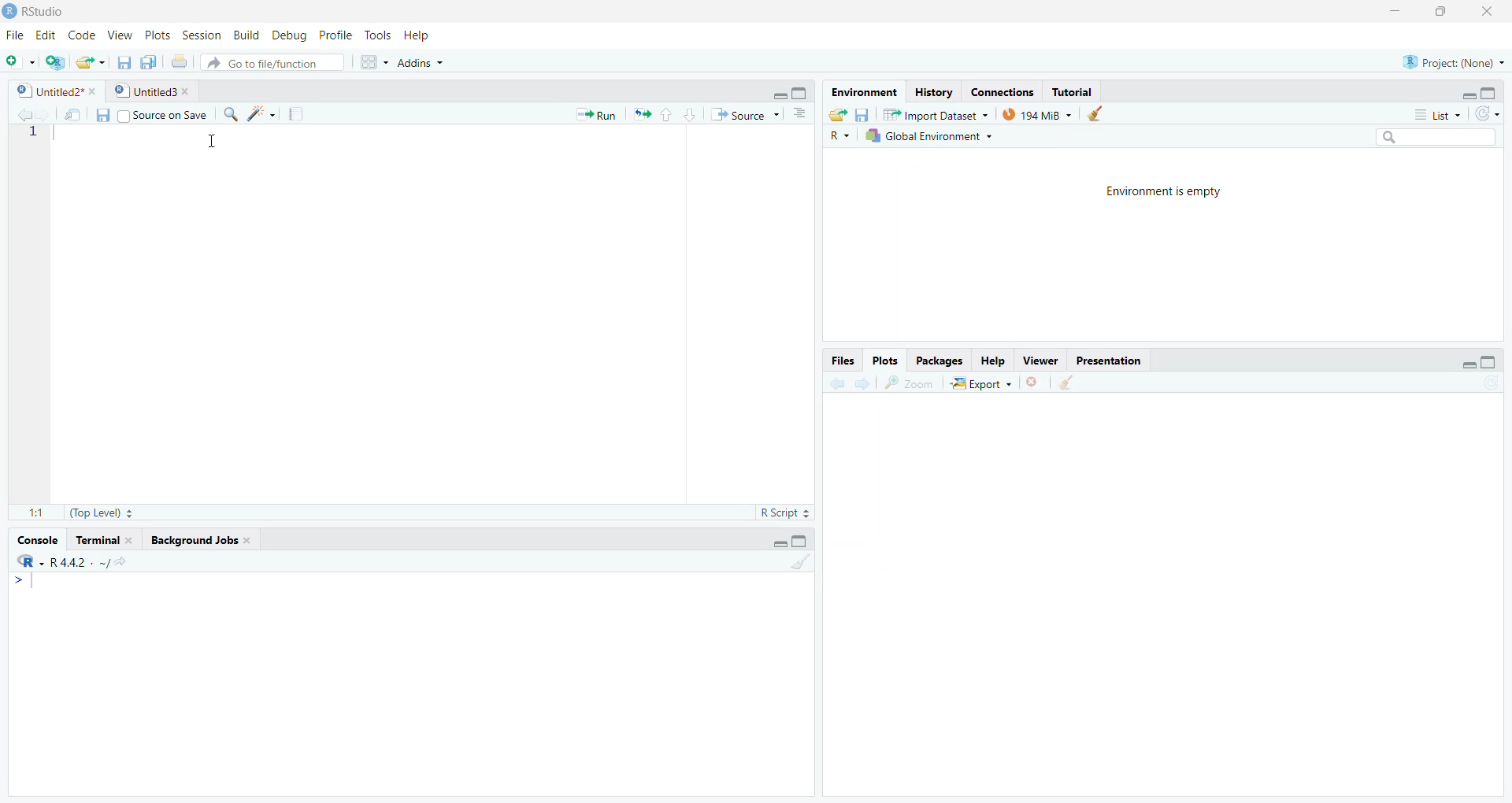  I want to click on Cleaner objects, so click(1100, 114).